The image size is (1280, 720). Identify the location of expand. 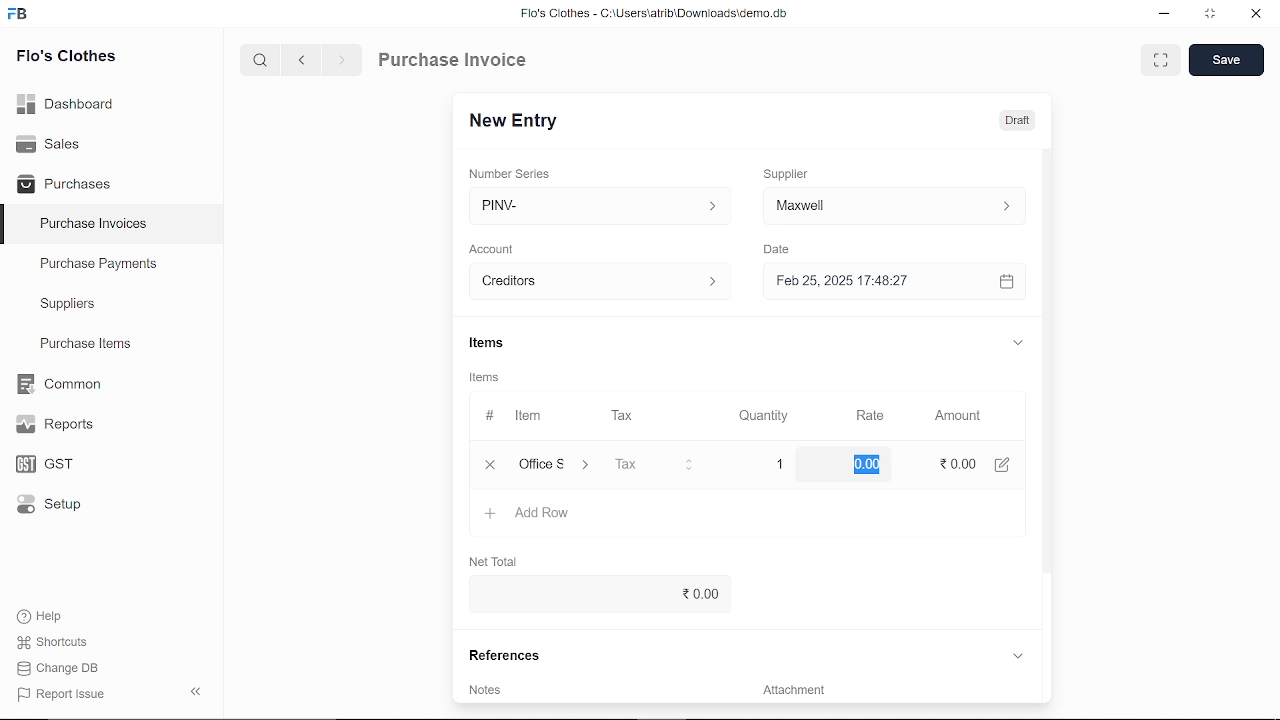
(1018, 345).